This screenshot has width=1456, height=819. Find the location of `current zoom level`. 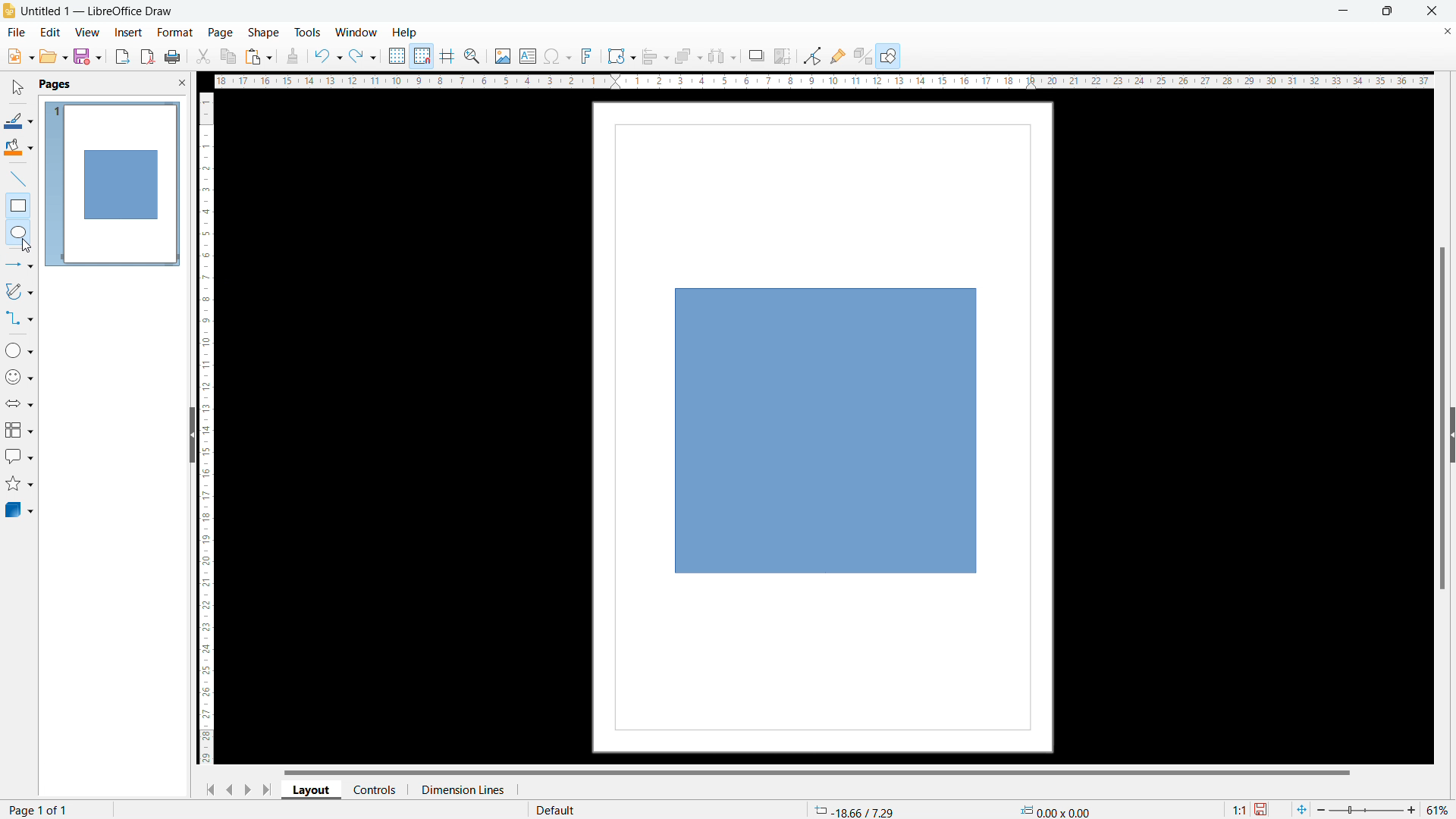

current zoom level is located at coordinates (1439, 810).